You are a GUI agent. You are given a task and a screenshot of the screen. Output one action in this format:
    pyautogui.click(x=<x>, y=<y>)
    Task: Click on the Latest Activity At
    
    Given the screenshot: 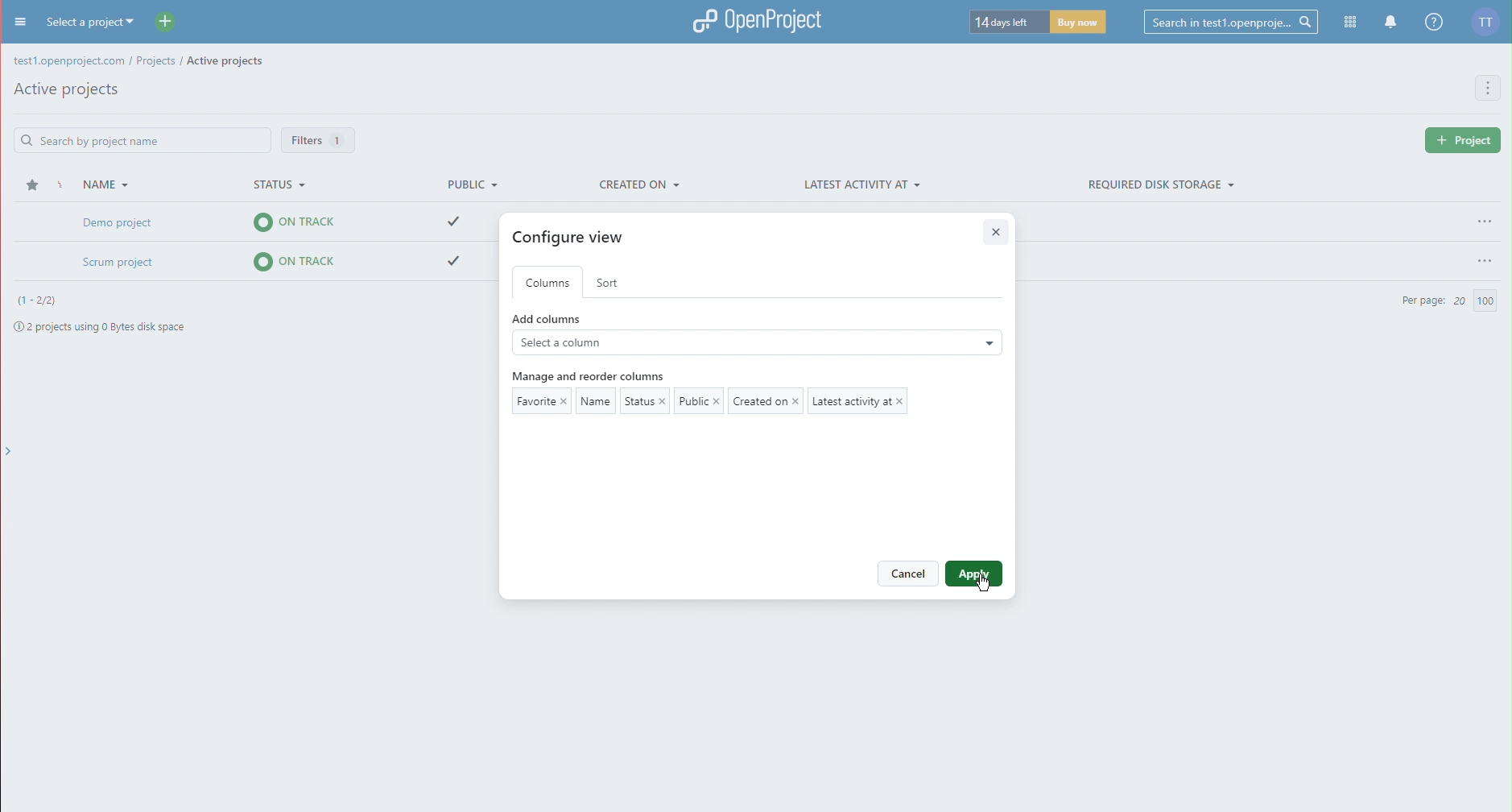 What is the action you would take?
    pyautogui.click(x=862, y=186)
    